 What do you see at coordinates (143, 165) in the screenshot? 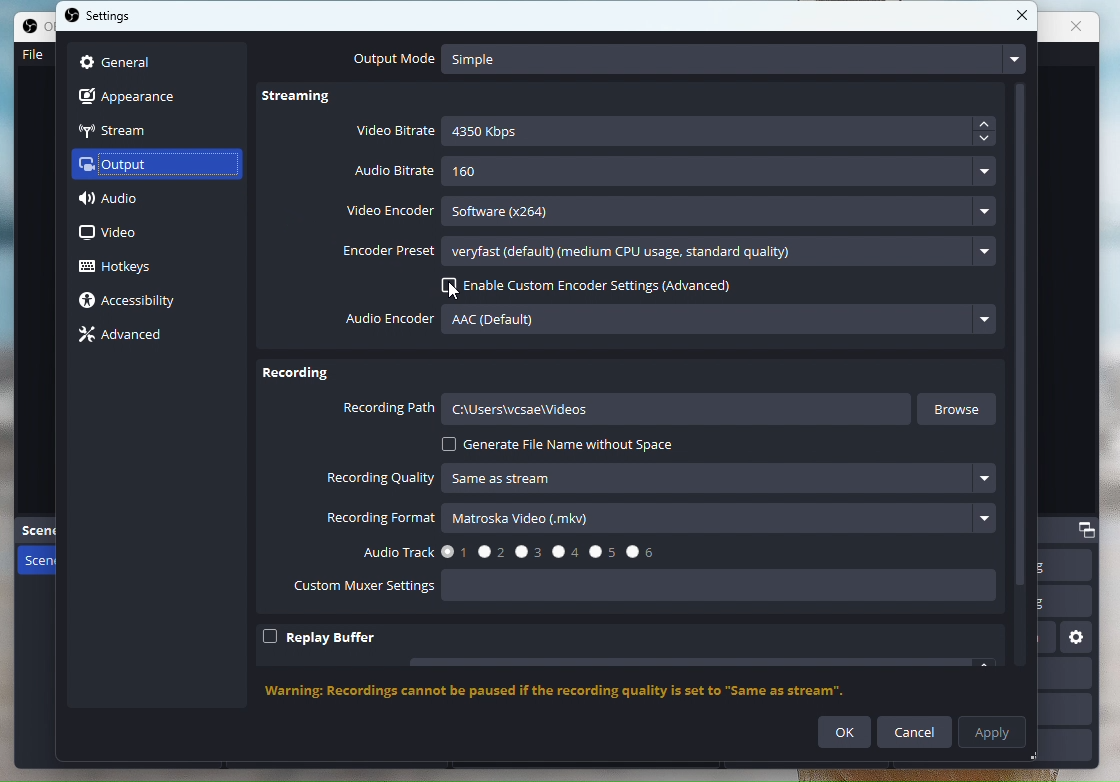
I see `Output` at bounding box center [143, 165].